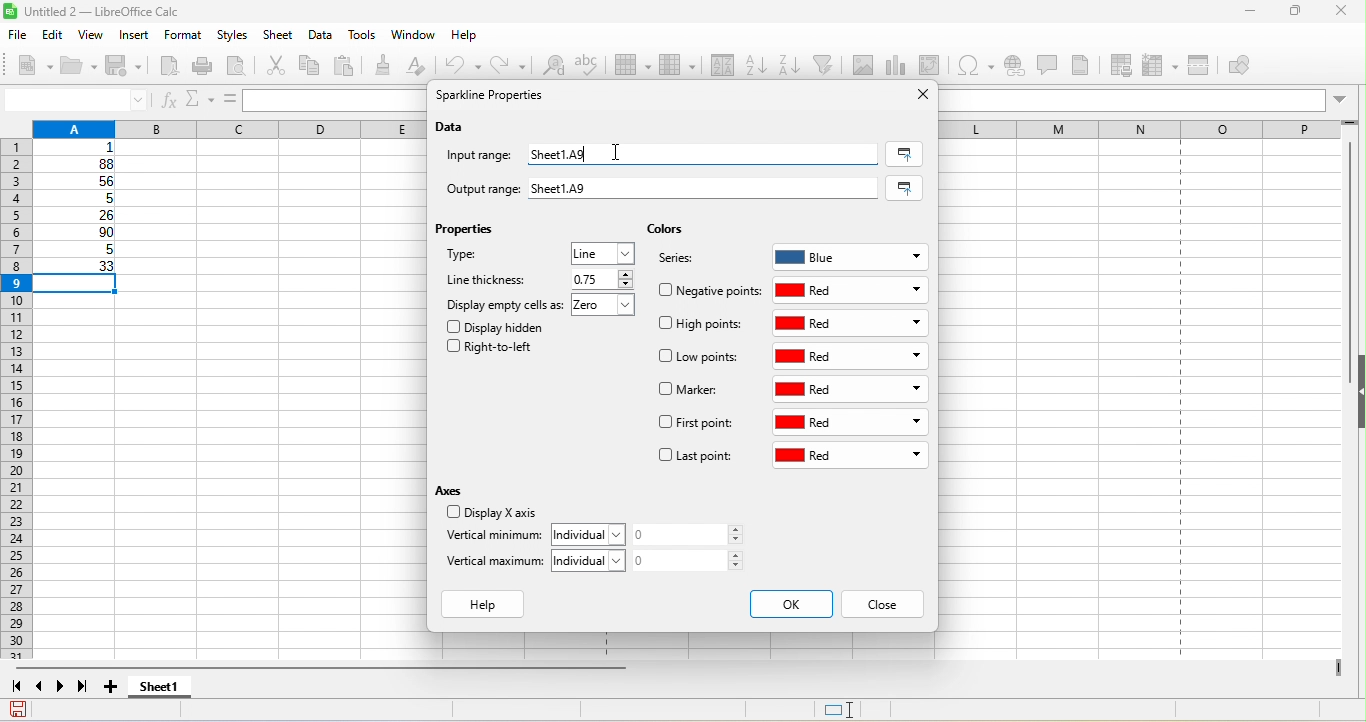 This screenshot has height=722, width=1366. What do you see at coordinates (593, 533) in the screenshot?
I see `individual` at bounding box center [593, 533].